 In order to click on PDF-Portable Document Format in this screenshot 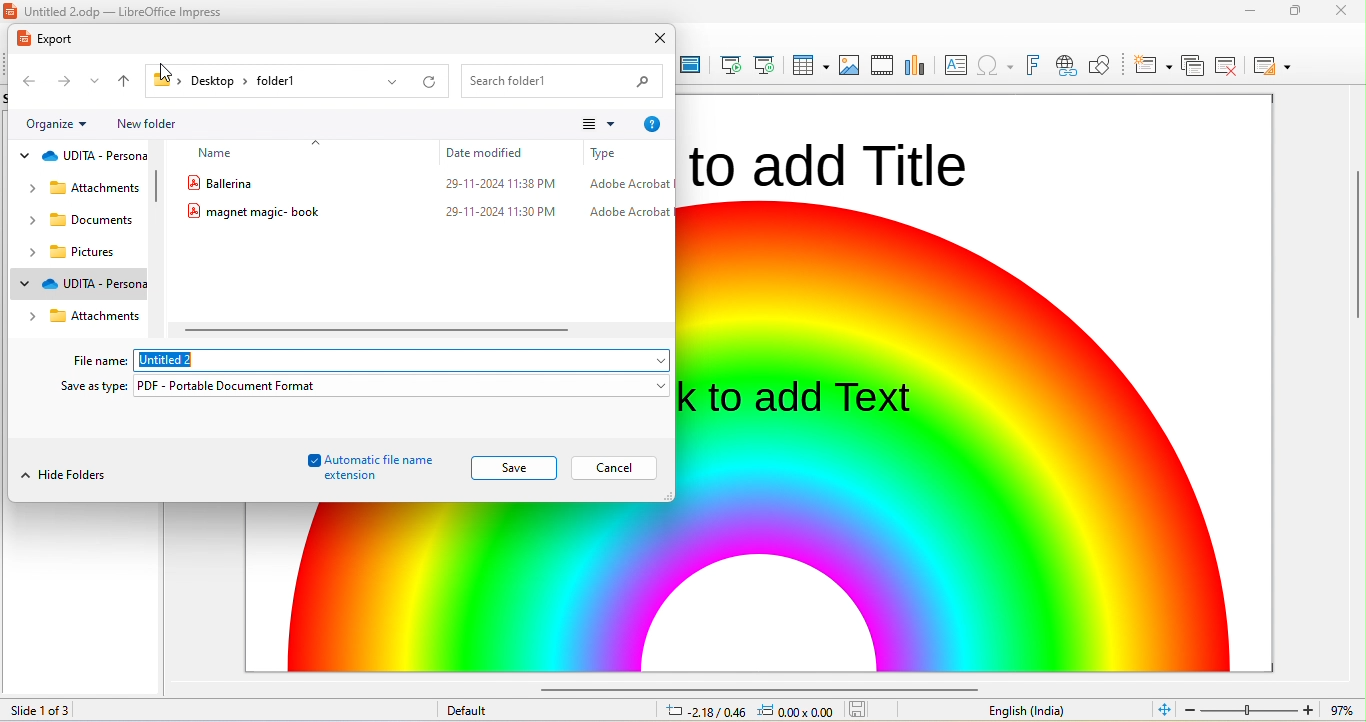, I will do `click(251, 385)`.